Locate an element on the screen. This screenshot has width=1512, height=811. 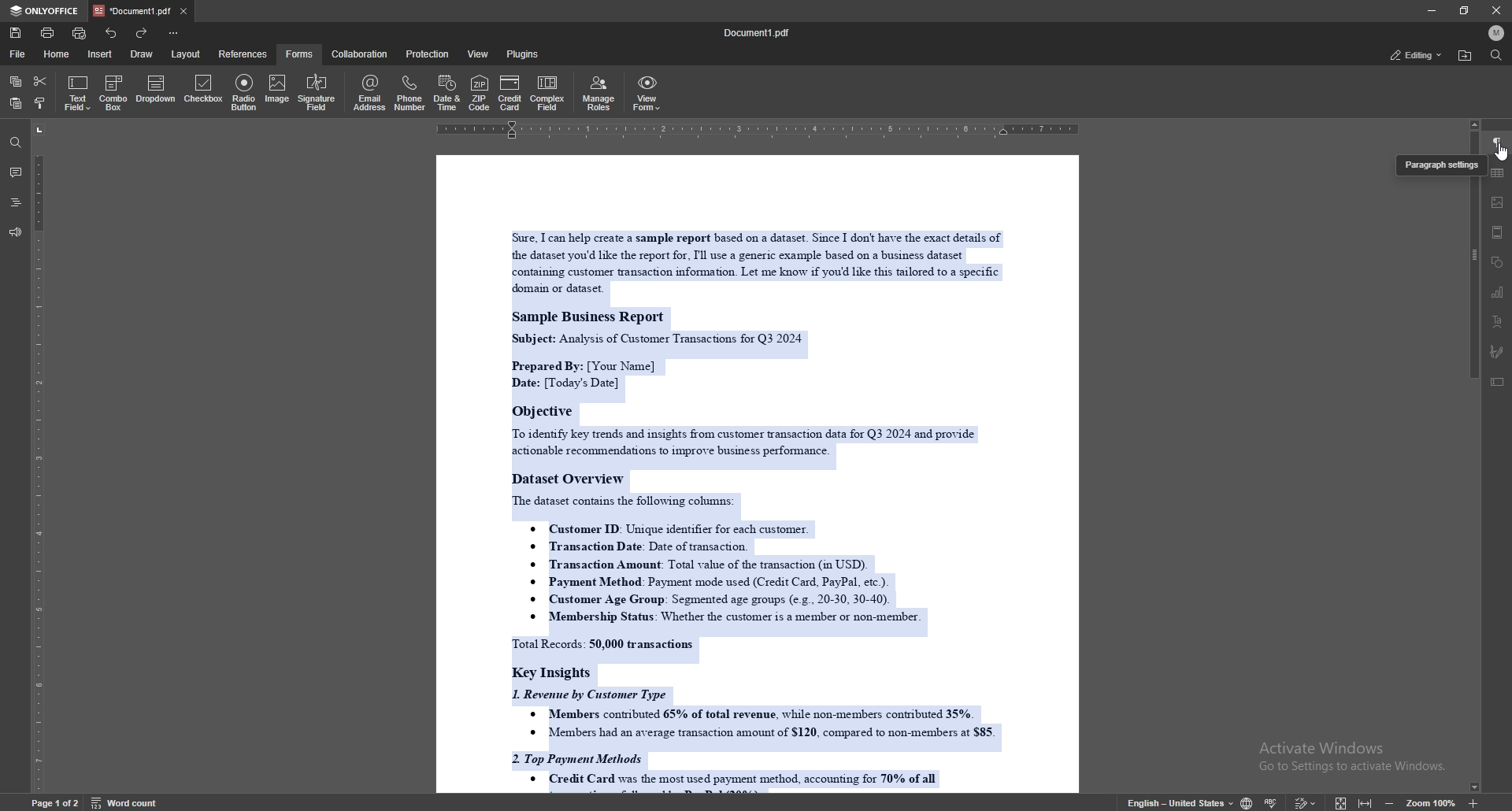
plugins is located at coordinates (524, 54).